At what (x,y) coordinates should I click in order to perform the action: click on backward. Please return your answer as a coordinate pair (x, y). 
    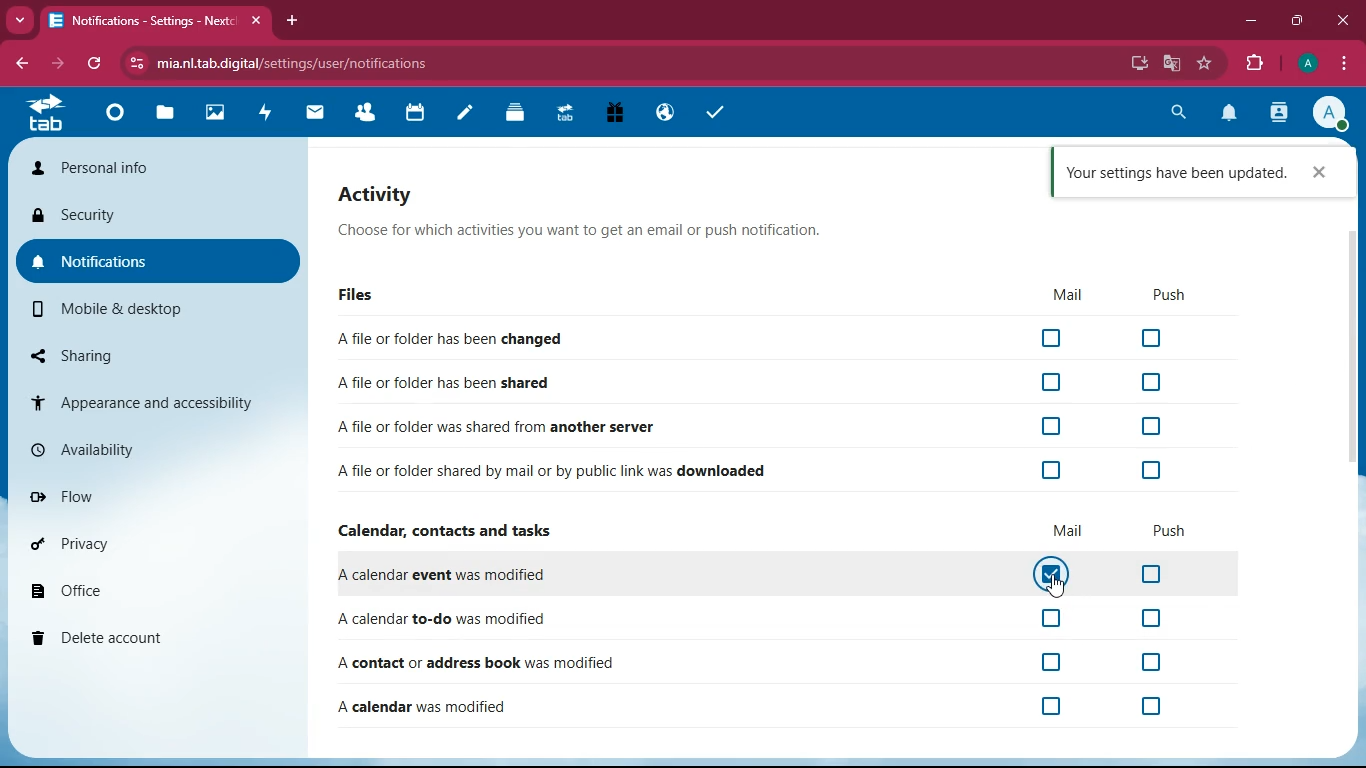
    Looking at the image, I should click on (19, 61).